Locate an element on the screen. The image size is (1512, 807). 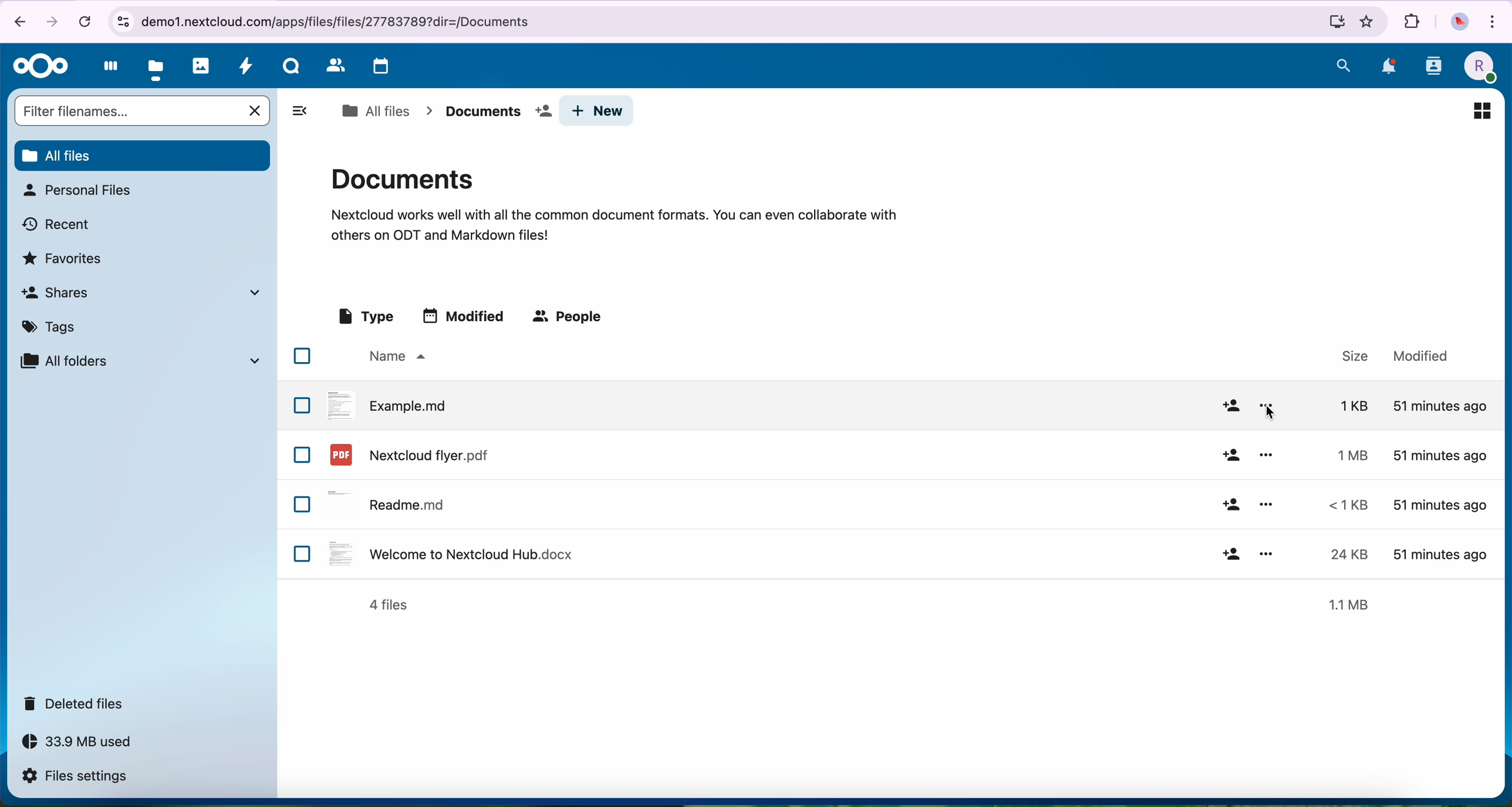
checkbox is located at coordinates (302, 455).